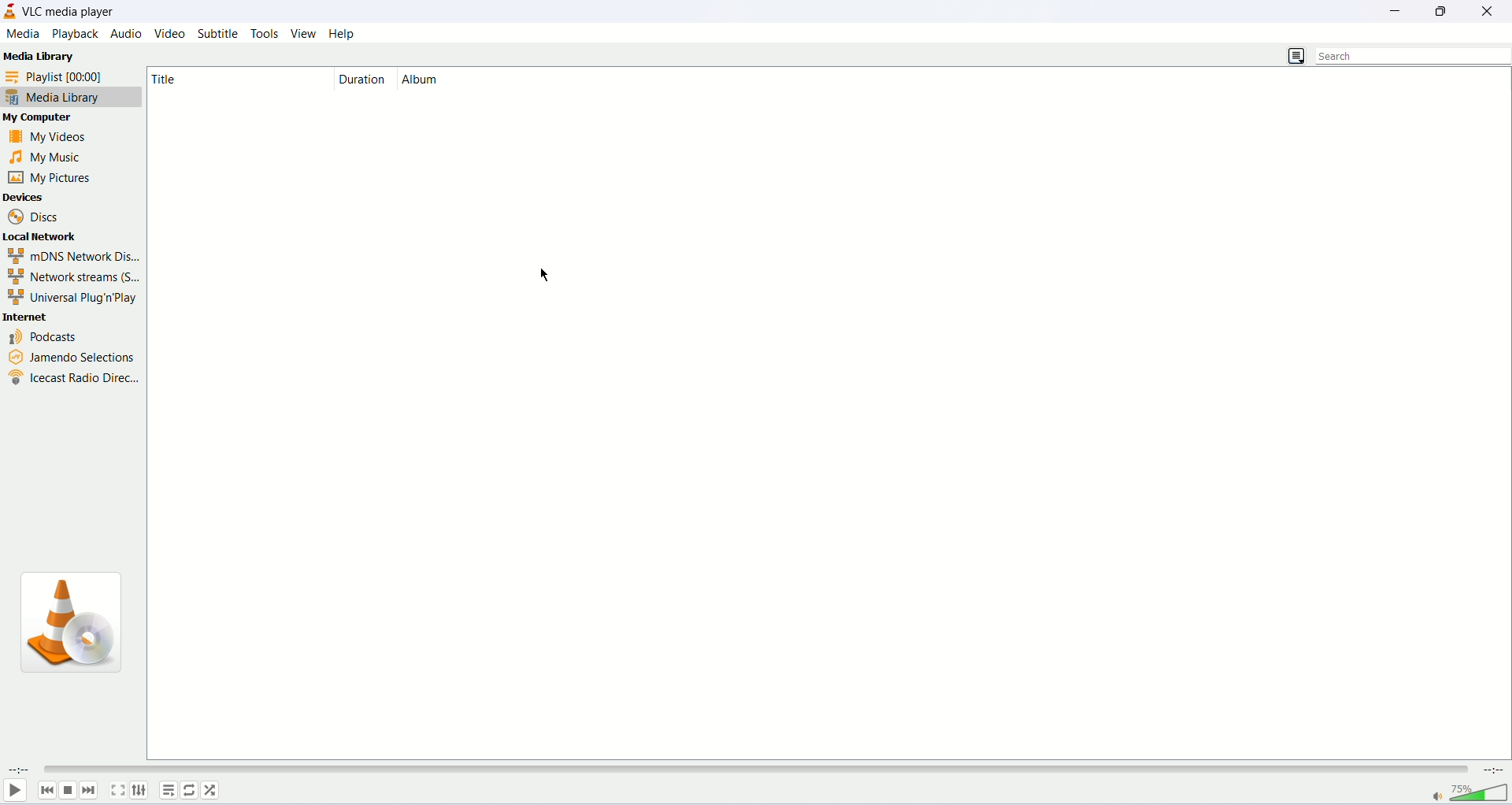 This screenshot has width=1512, height=805. What do you see at coordinates (190, 790) in the screenshot?
I see `loop` at bounding box center [190, 790].